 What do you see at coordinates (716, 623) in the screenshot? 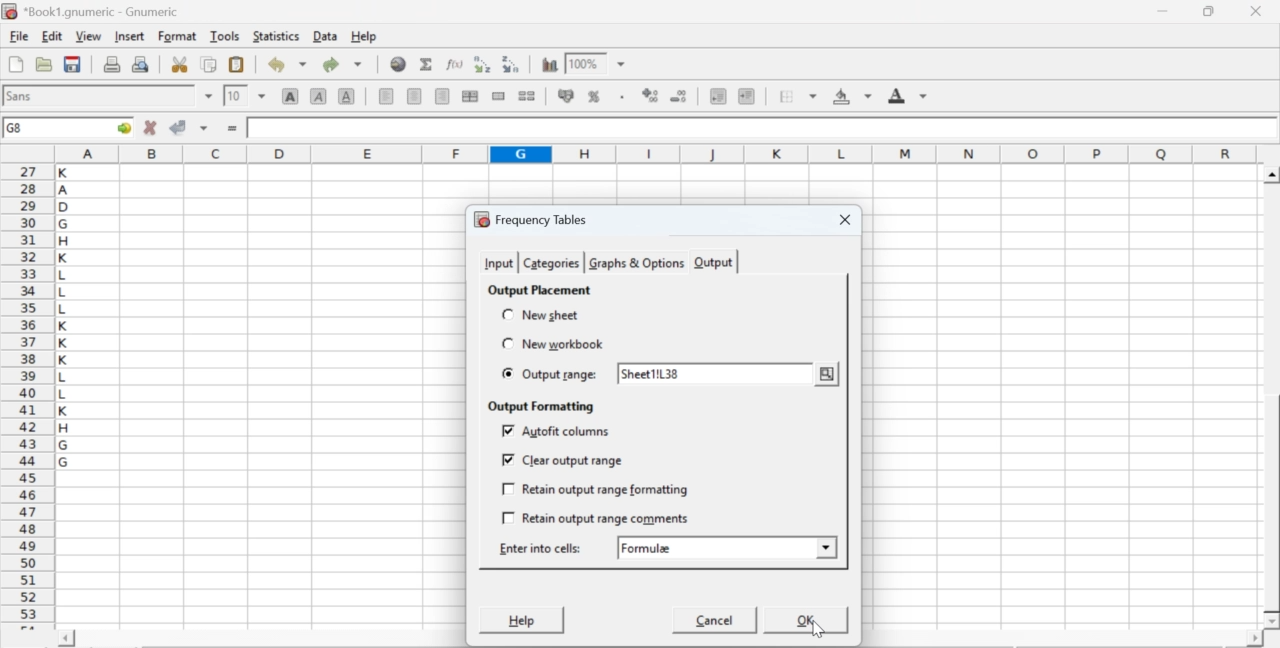
I see `Cancel` at bounding box center [716, 623].